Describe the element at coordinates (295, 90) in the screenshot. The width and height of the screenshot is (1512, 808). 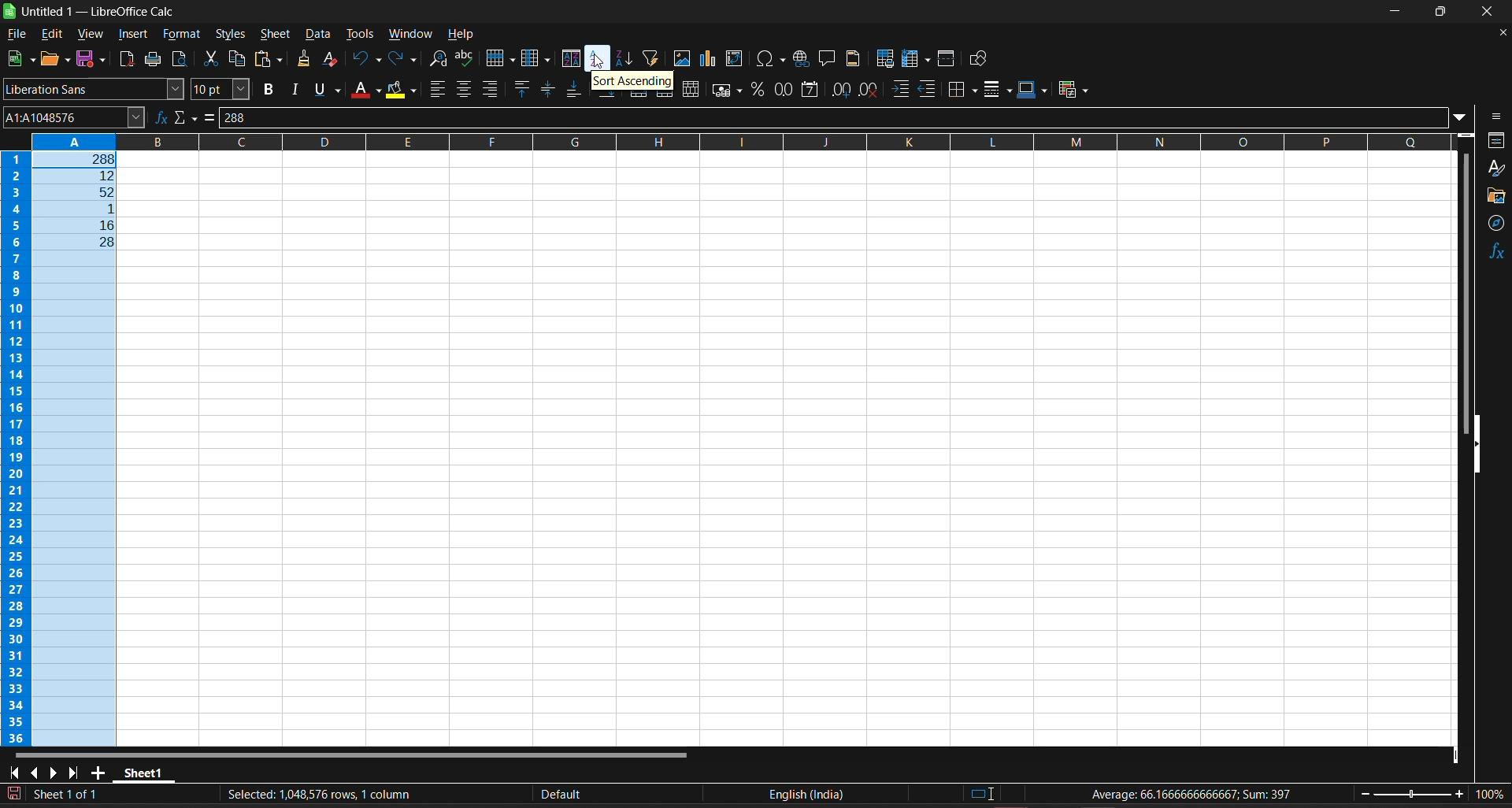
I see `italic` at that location.